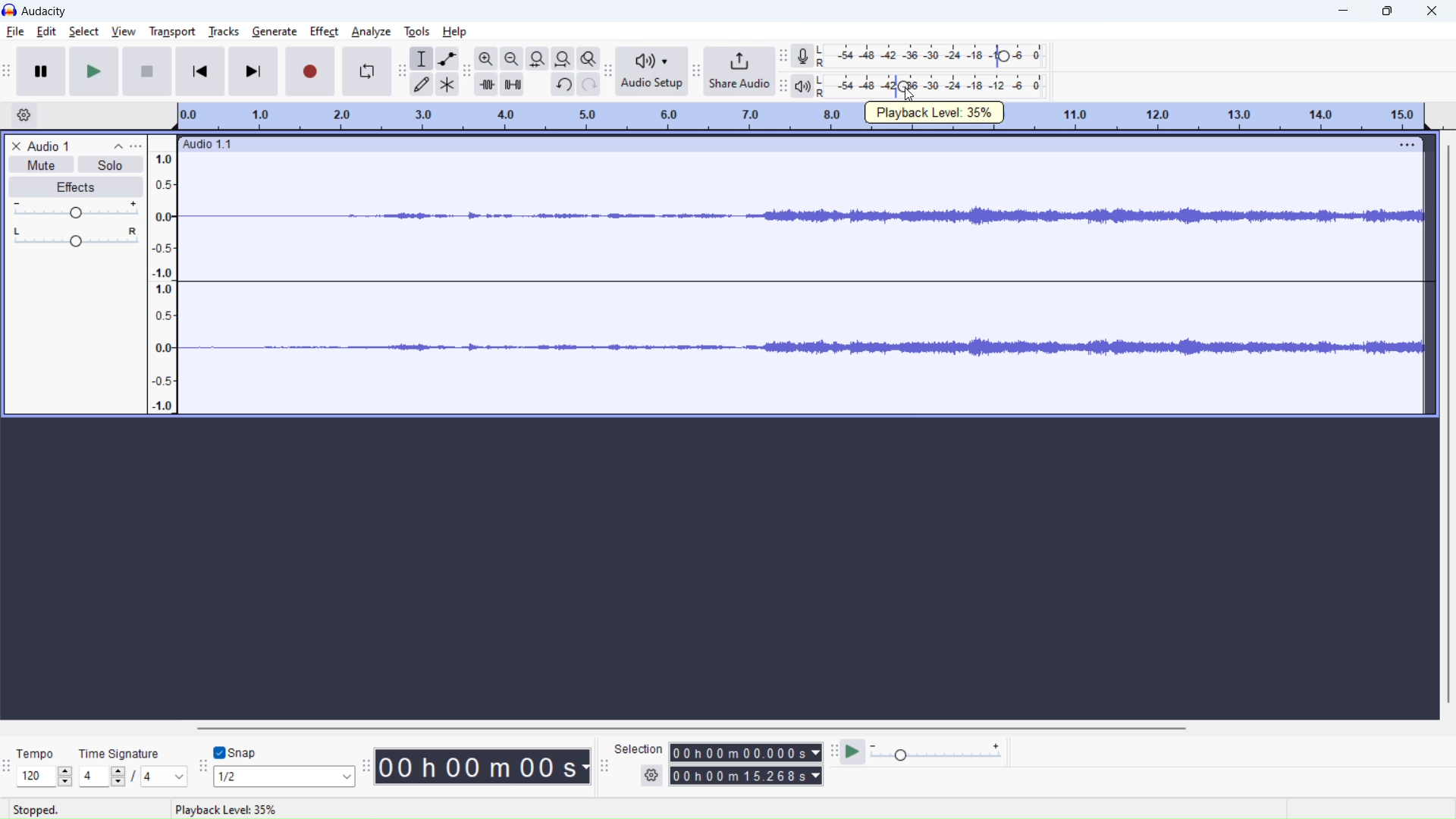  Describe the element at coordinates (6, 70) in the screenshot. I see `transport toolbar` at that location.